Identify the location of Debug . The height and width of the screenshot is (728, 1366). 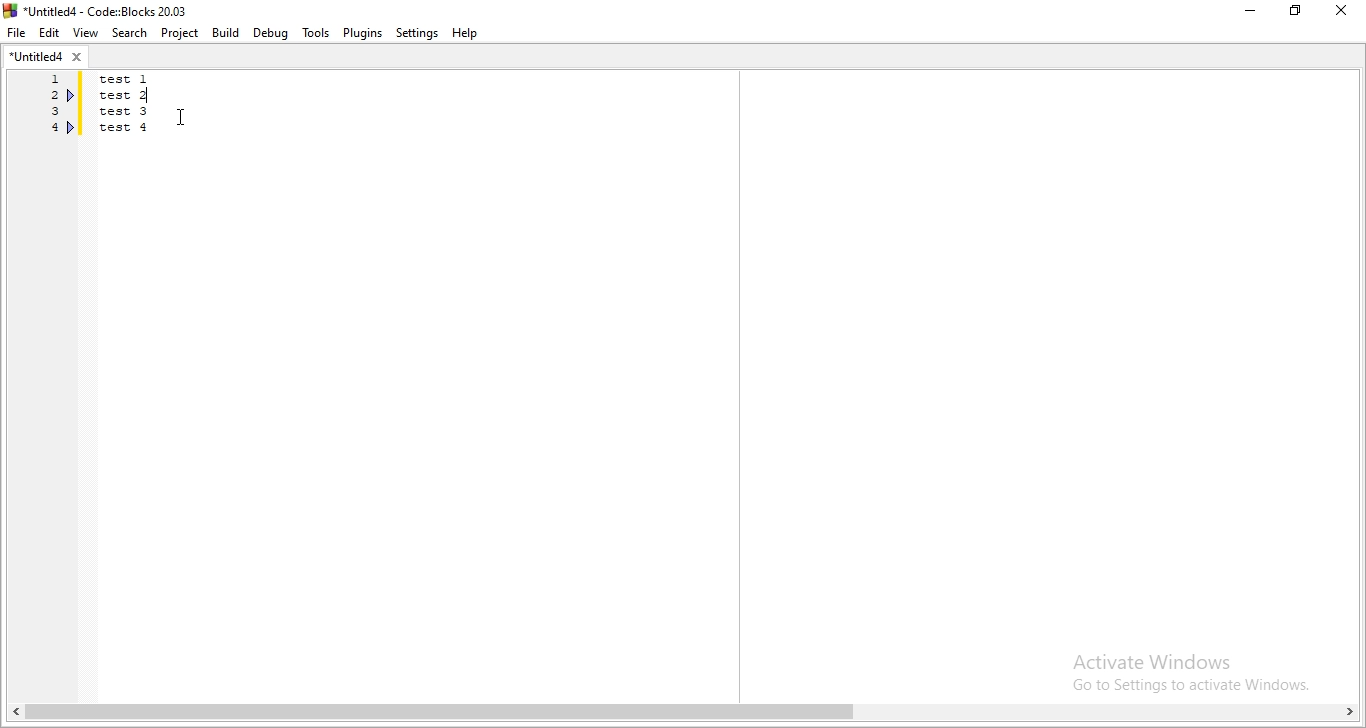
(272, 33).